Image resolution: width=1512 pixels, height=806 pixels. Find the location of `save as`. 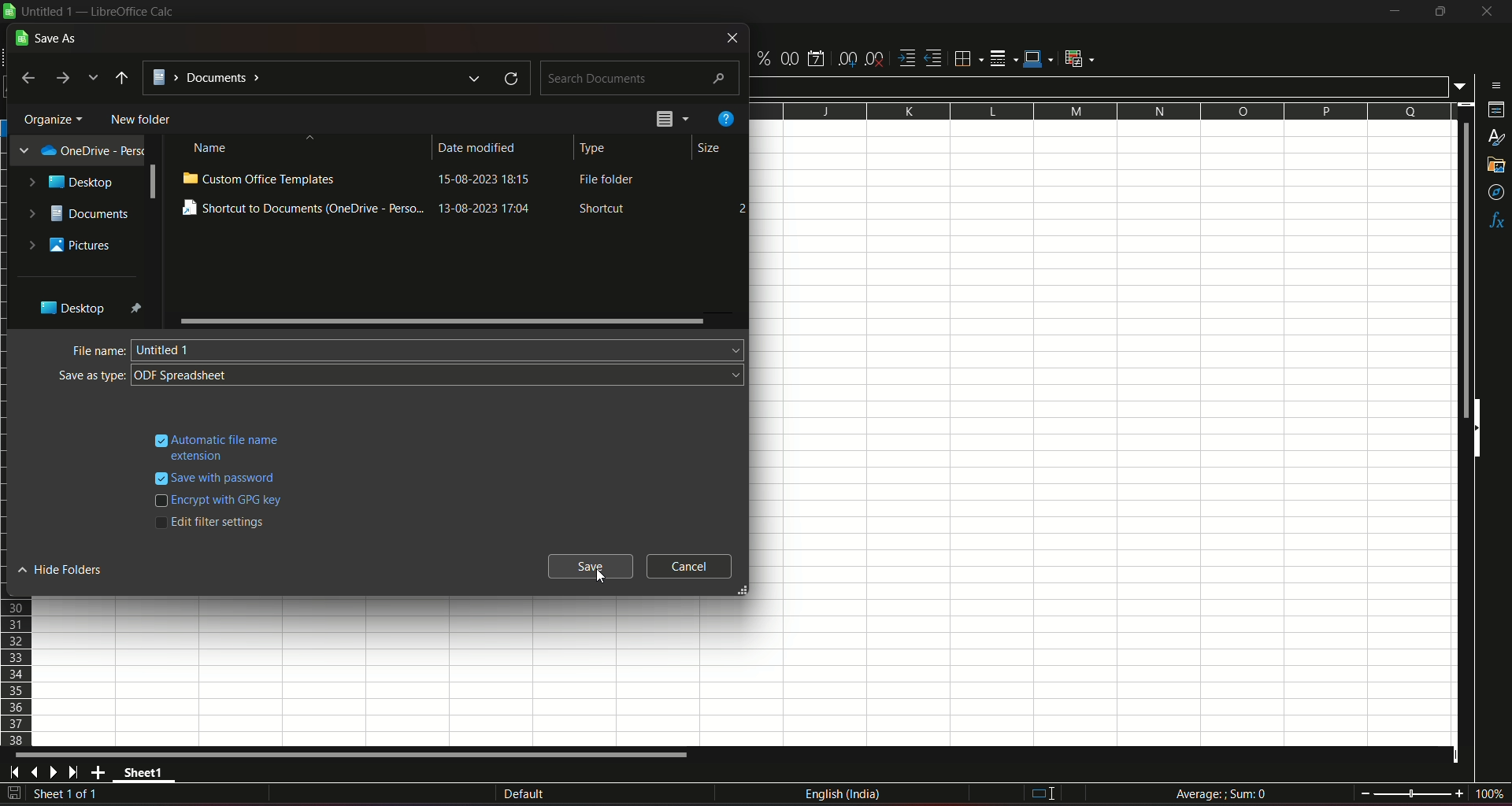

save as is located at coordinates (46, 38).